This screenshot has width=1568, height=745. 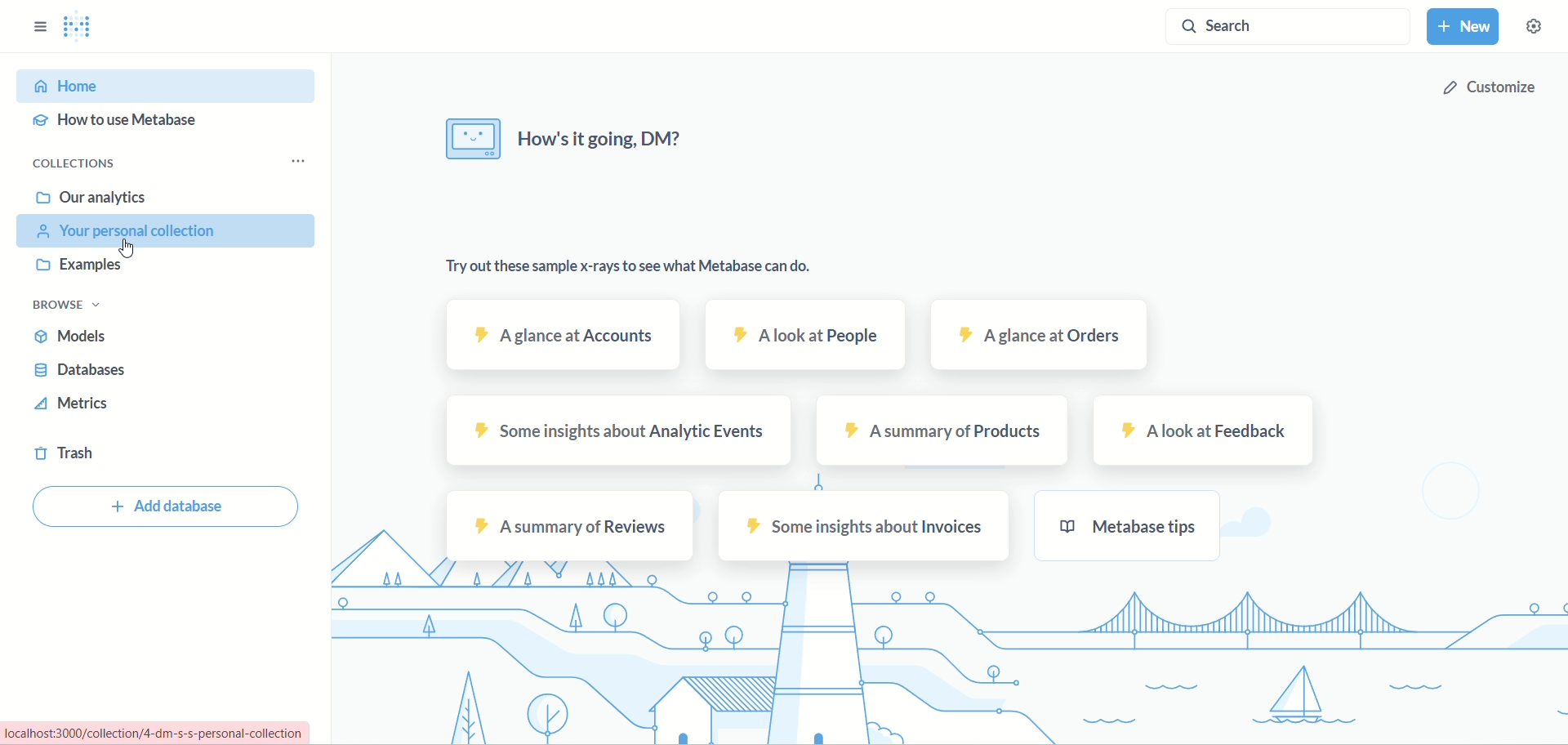 What do you see at coordinates (91, 198) in the screenshot?
I see `our analytics` at bounding box center [91, 198].